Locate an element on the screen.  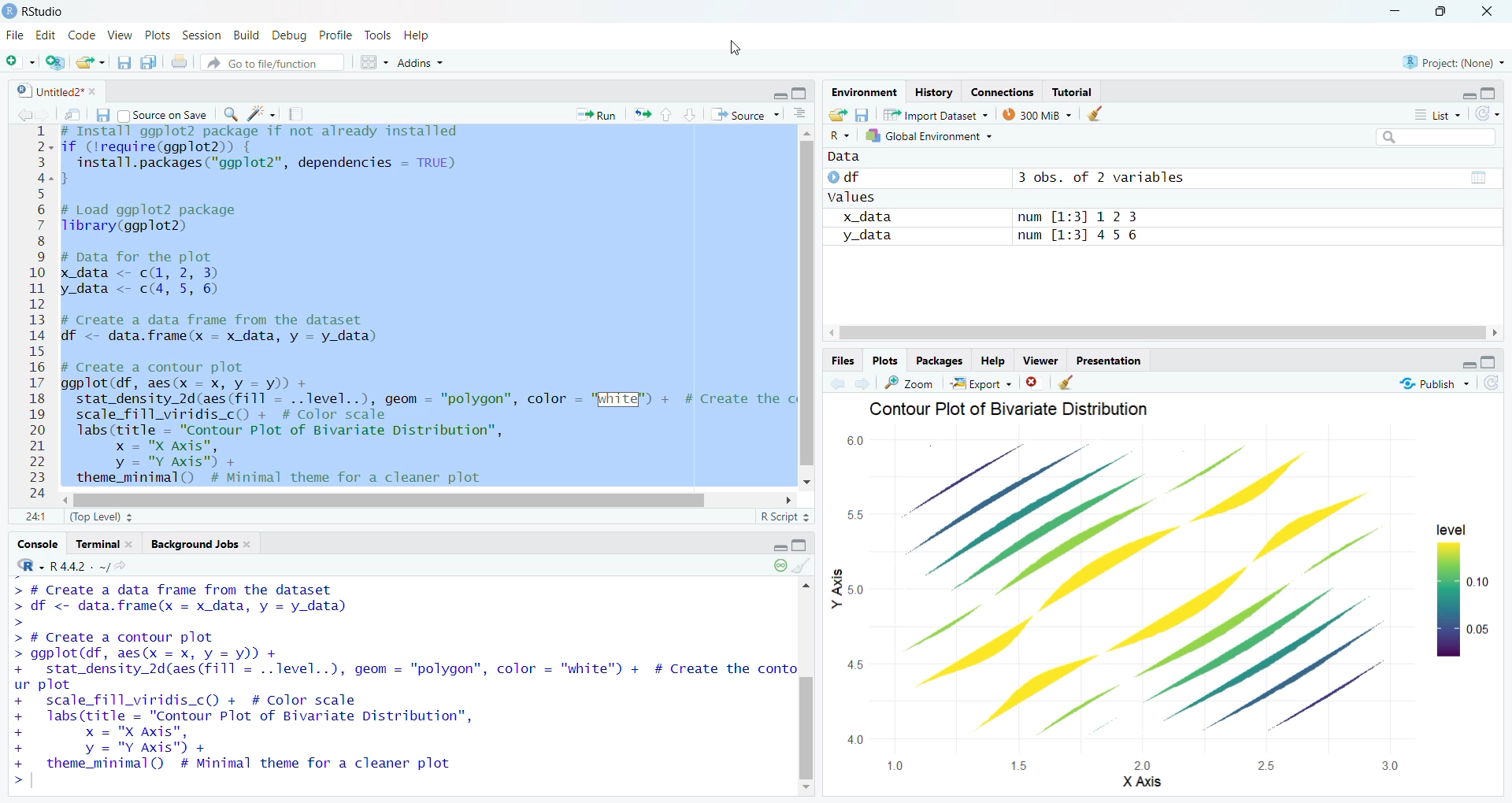
File is located at coordinates (15, 37).